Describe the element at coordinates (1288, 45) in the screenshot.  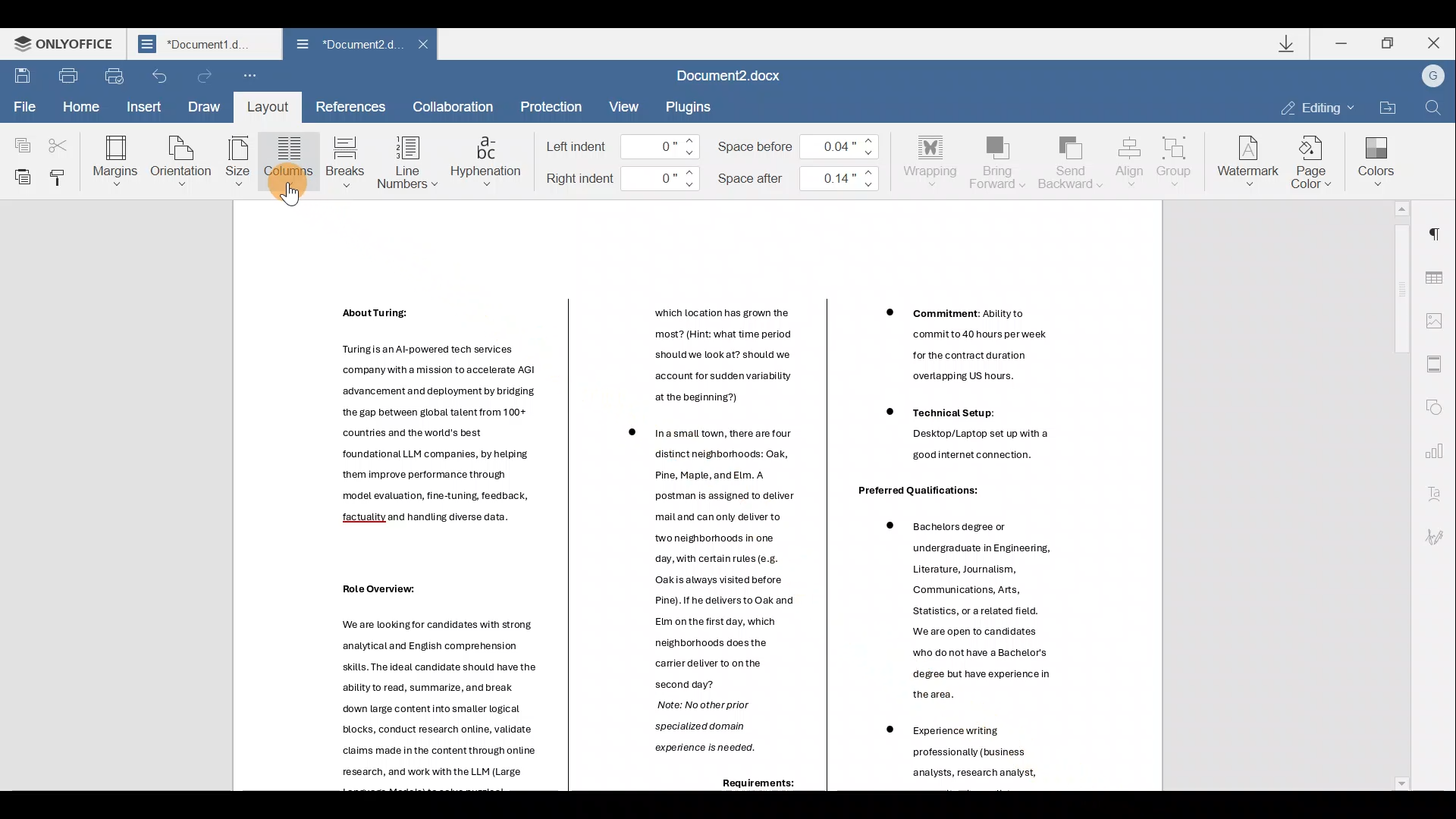
I see `Downloads` at that location.